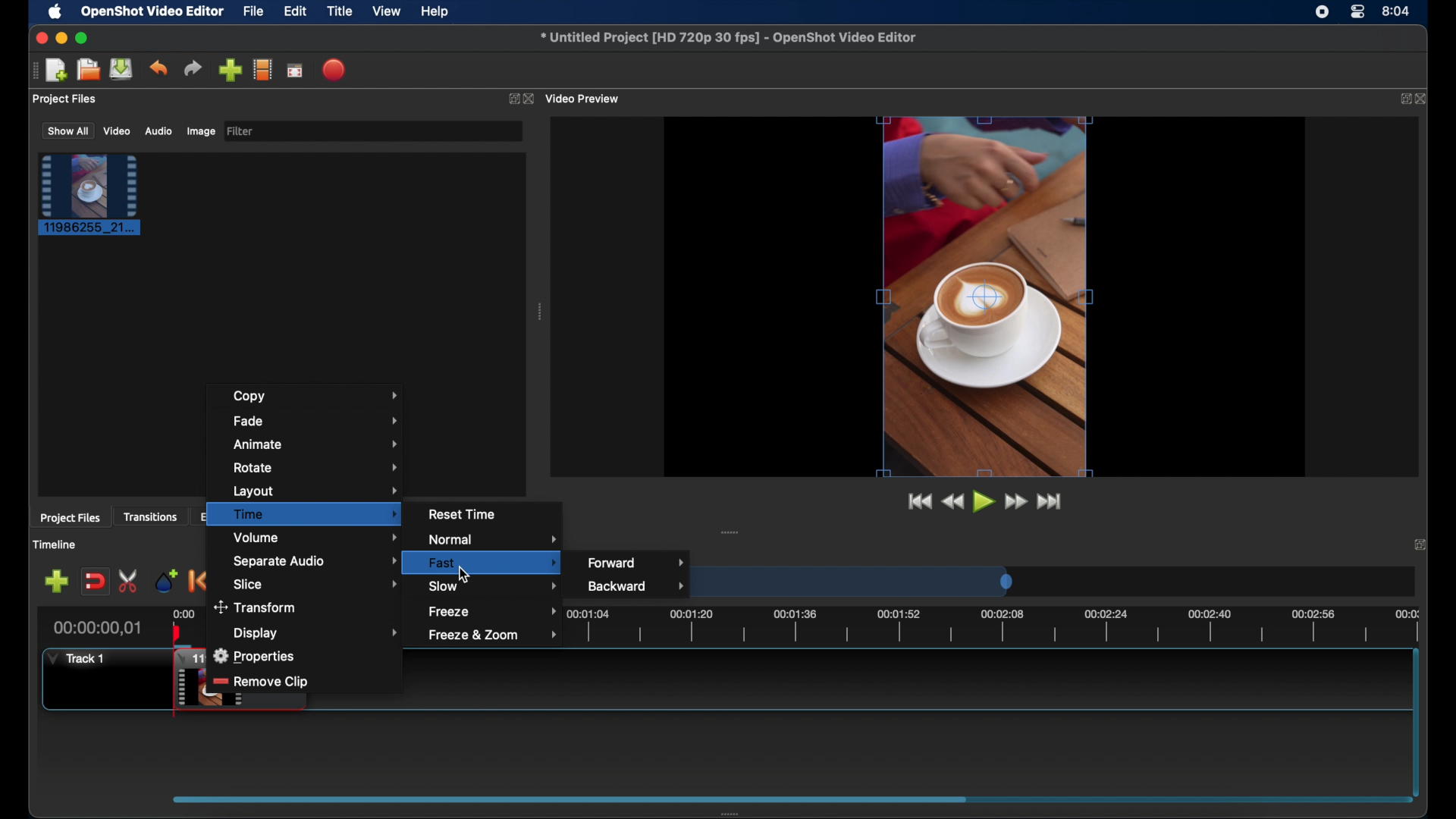  What do you see at coordinates (493, 585) in the screenshot?
I see `slow menu` at bounding box center [493, 585].